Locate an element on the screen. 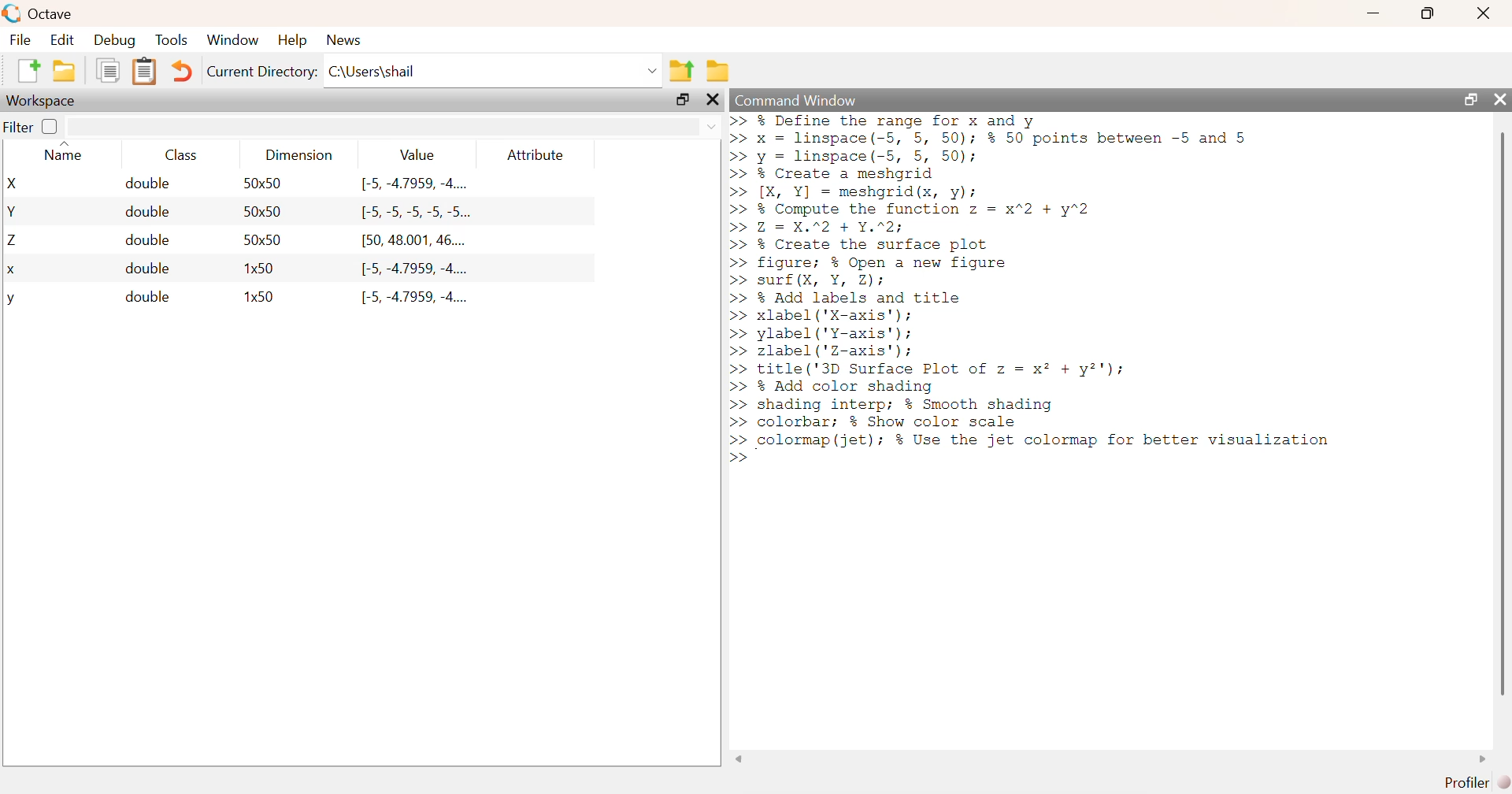 The height and width of the screenshot is (794, 1512). double is located at coordinates (147, 297).